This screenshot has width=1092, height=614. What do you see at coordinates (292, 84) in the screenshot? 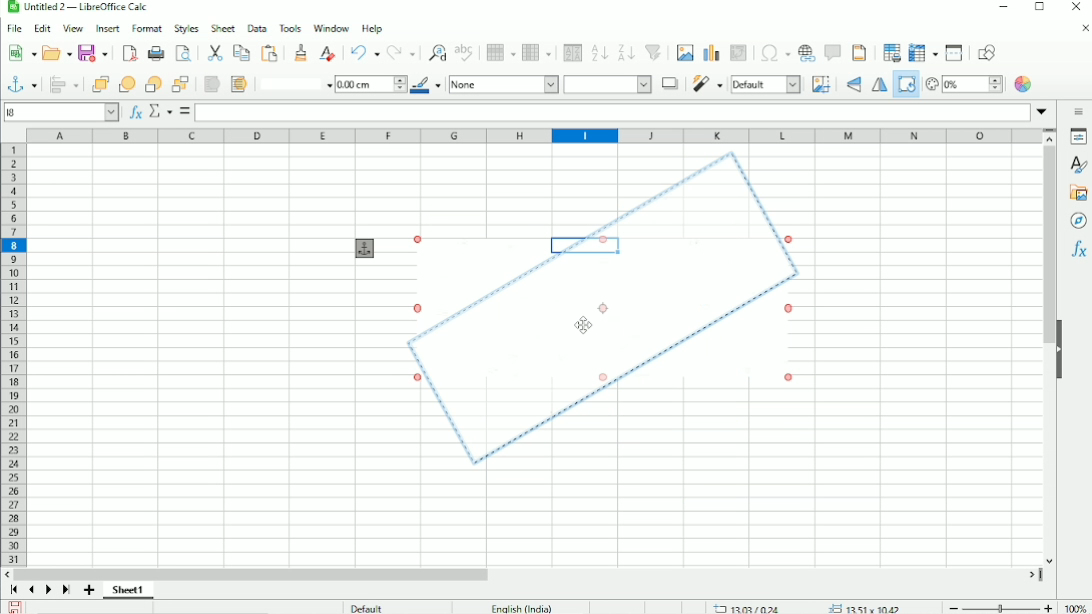
I see `Line style` at bounding box center [292, 84].